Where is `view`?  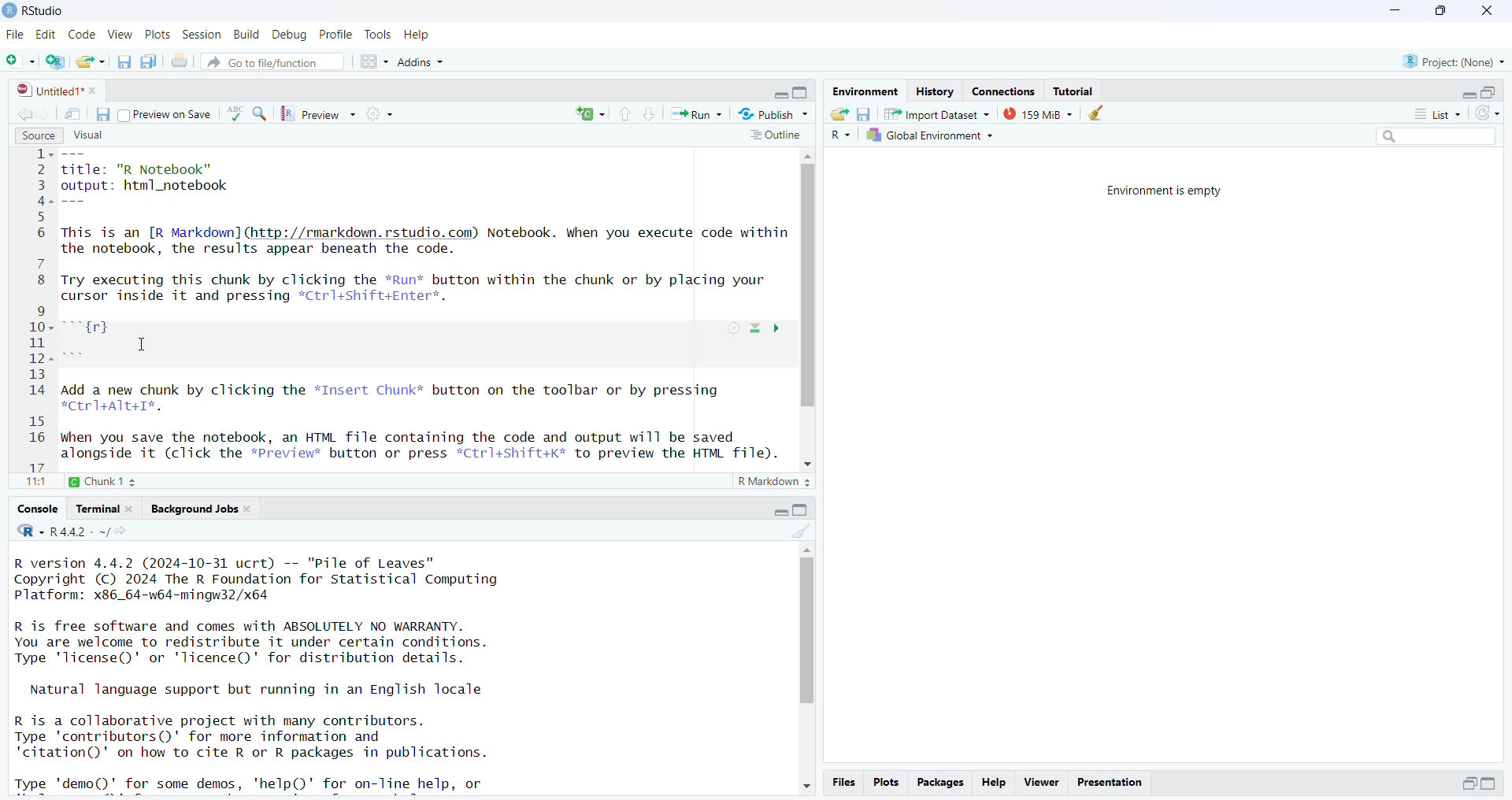 view is located at coordinates (120, 35).